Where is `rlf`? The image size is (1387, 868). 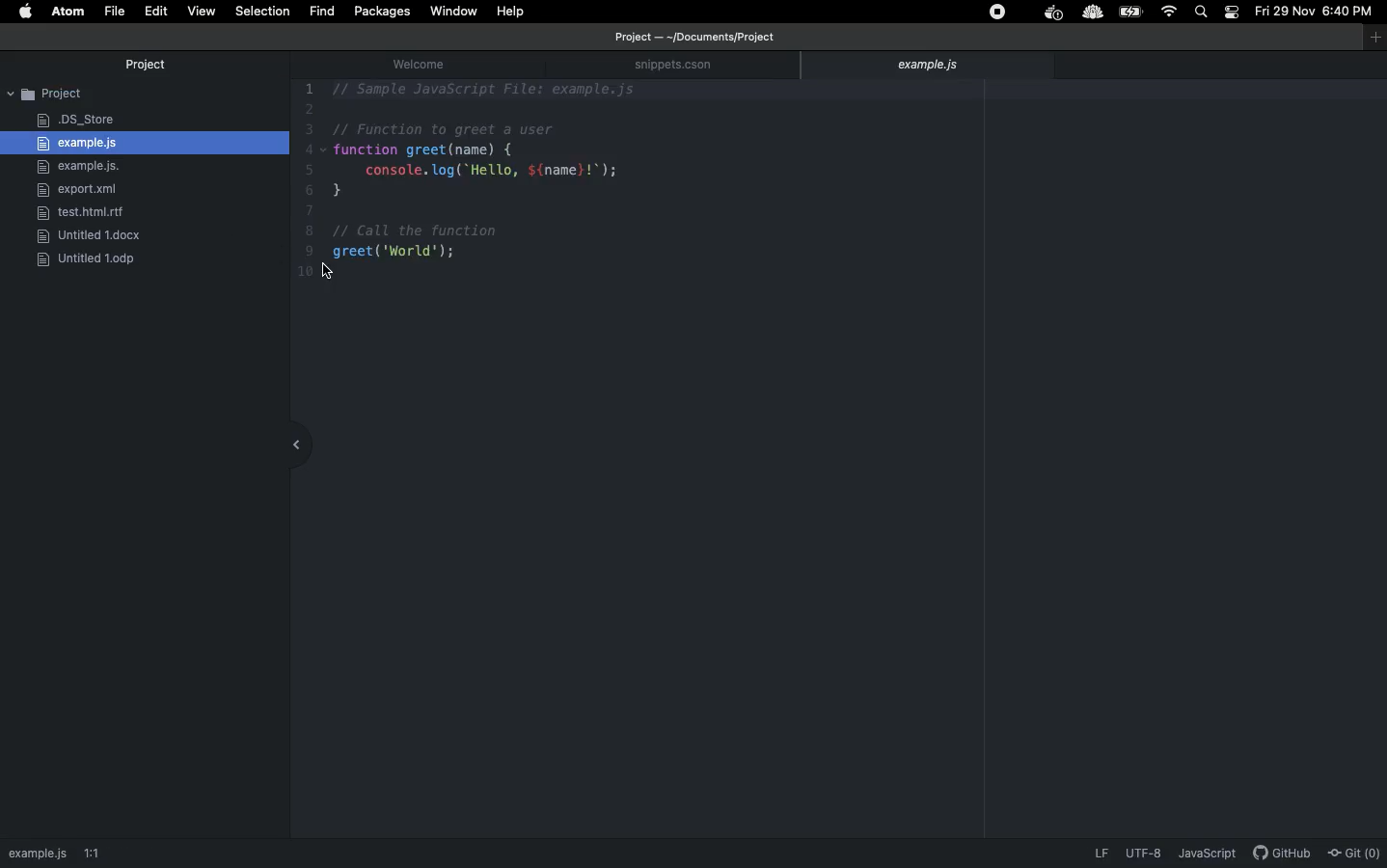 rlf is located at coordinates (82, 213).